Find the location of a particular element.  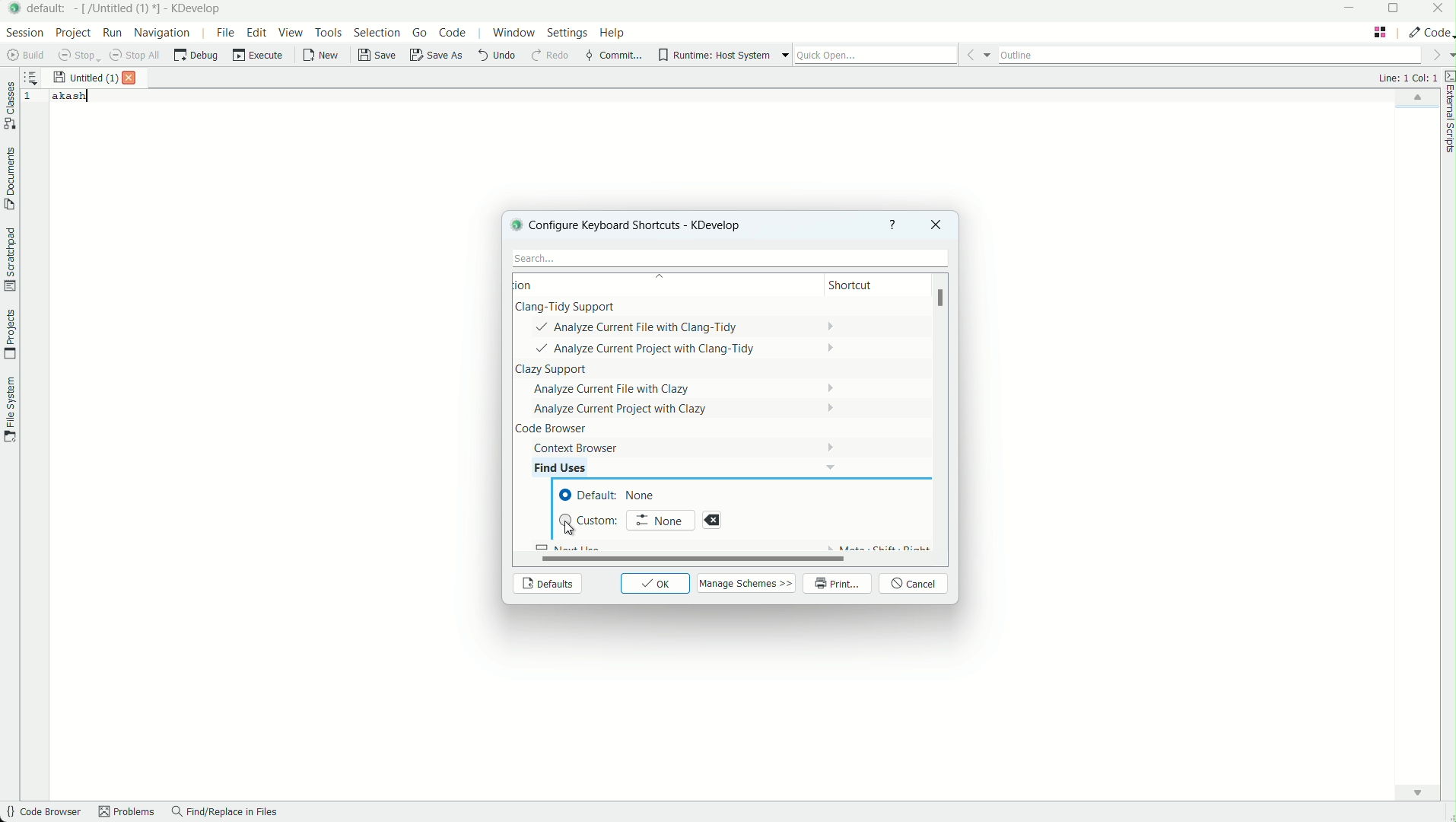

help is located at coordinates (893, 225).